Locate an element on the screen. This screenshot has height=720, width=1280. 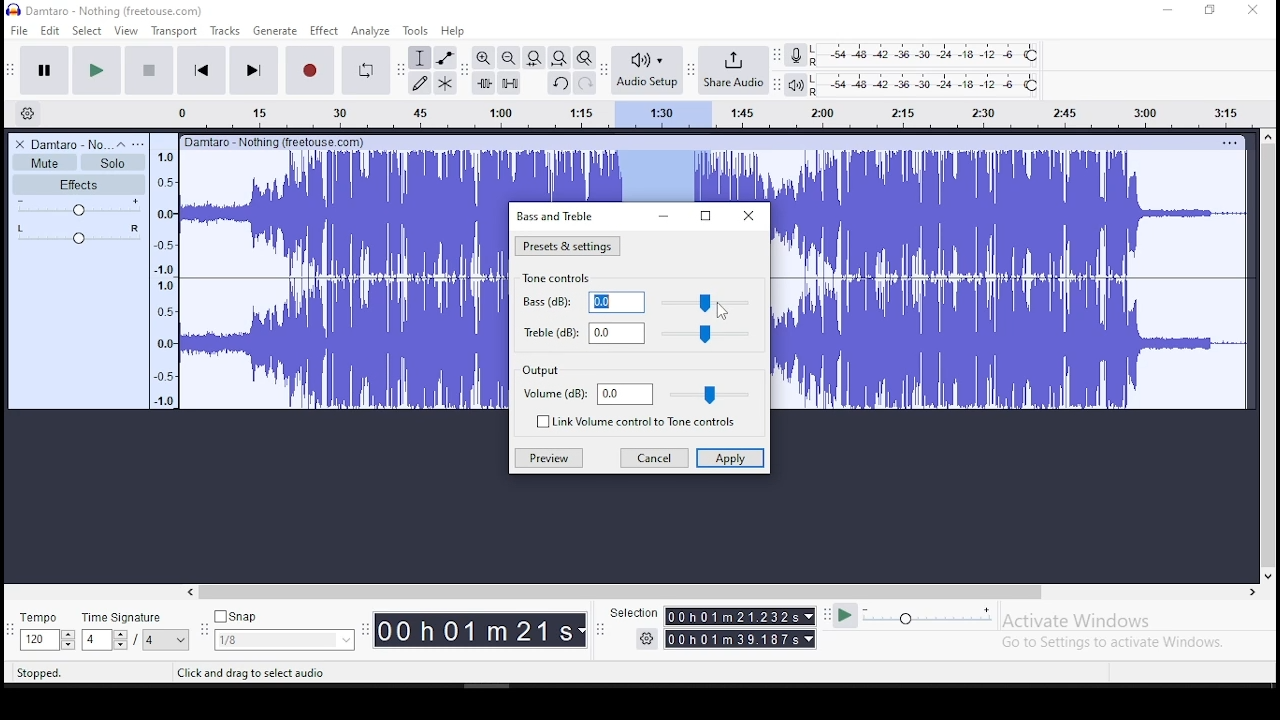
play is located at coordinates (96, 71).